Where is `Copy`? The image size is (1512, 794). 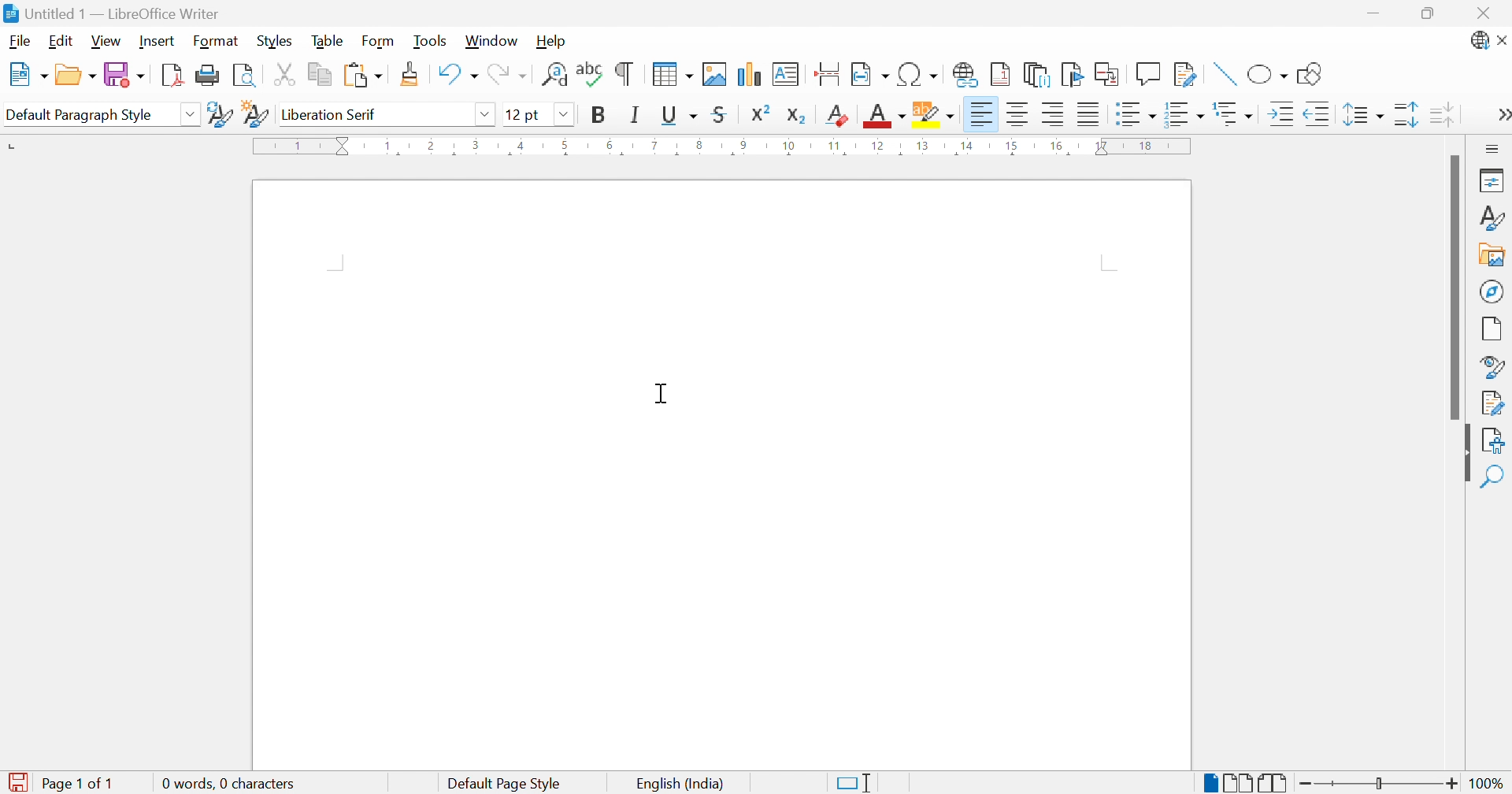 Copy is located at coordinates (321, 75).